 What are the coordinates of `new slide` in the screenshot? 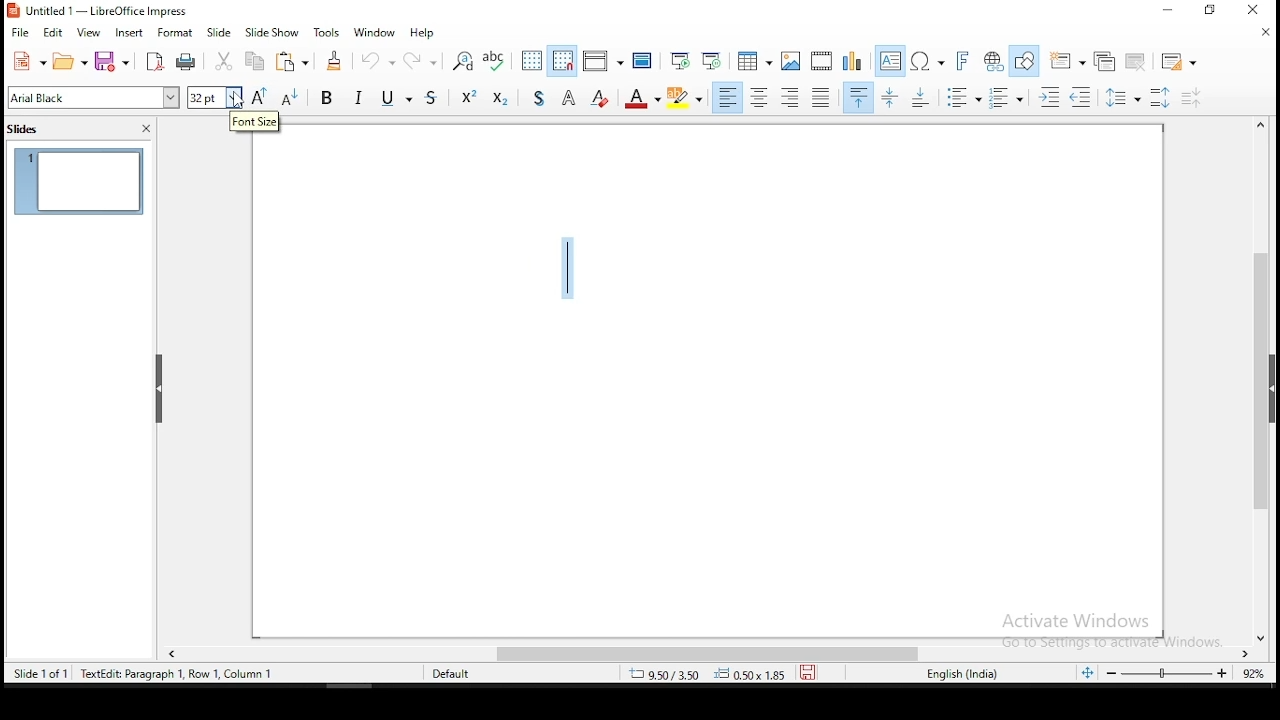 It's located at (1066, 61).